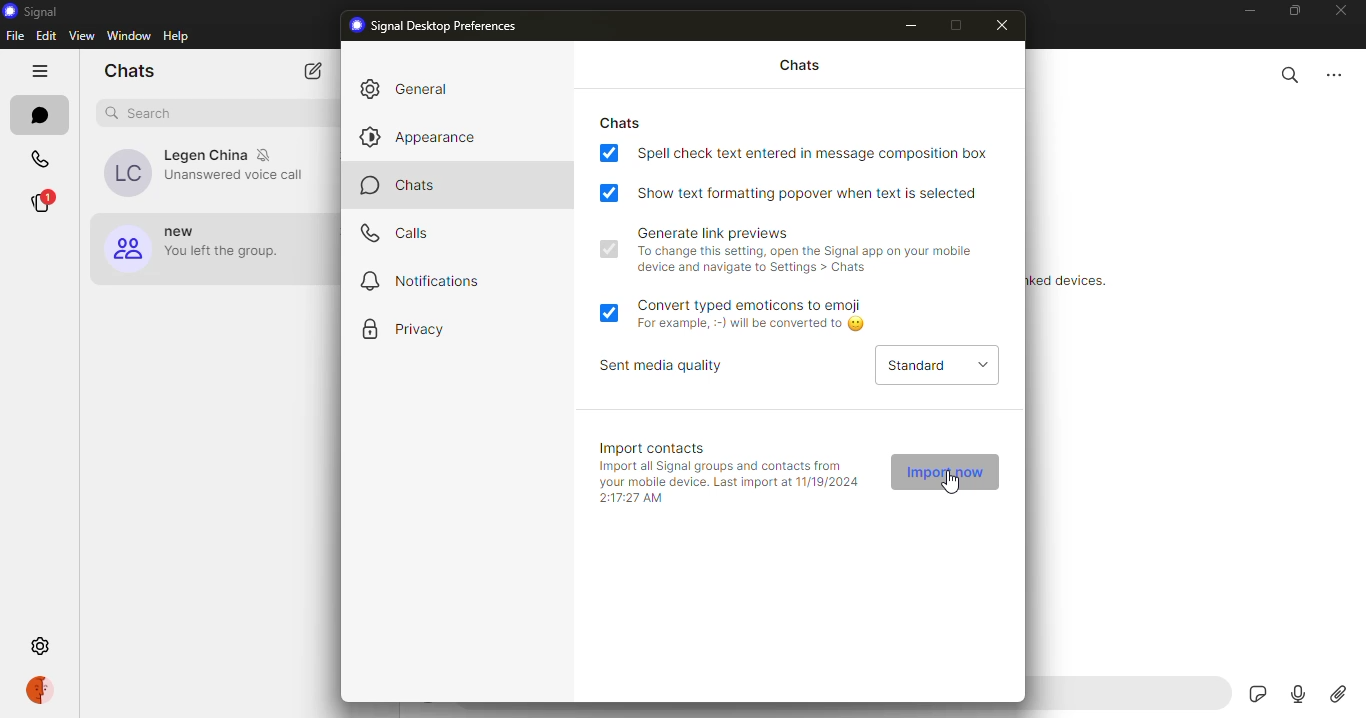  I want to click on signal, so click(31, 11).